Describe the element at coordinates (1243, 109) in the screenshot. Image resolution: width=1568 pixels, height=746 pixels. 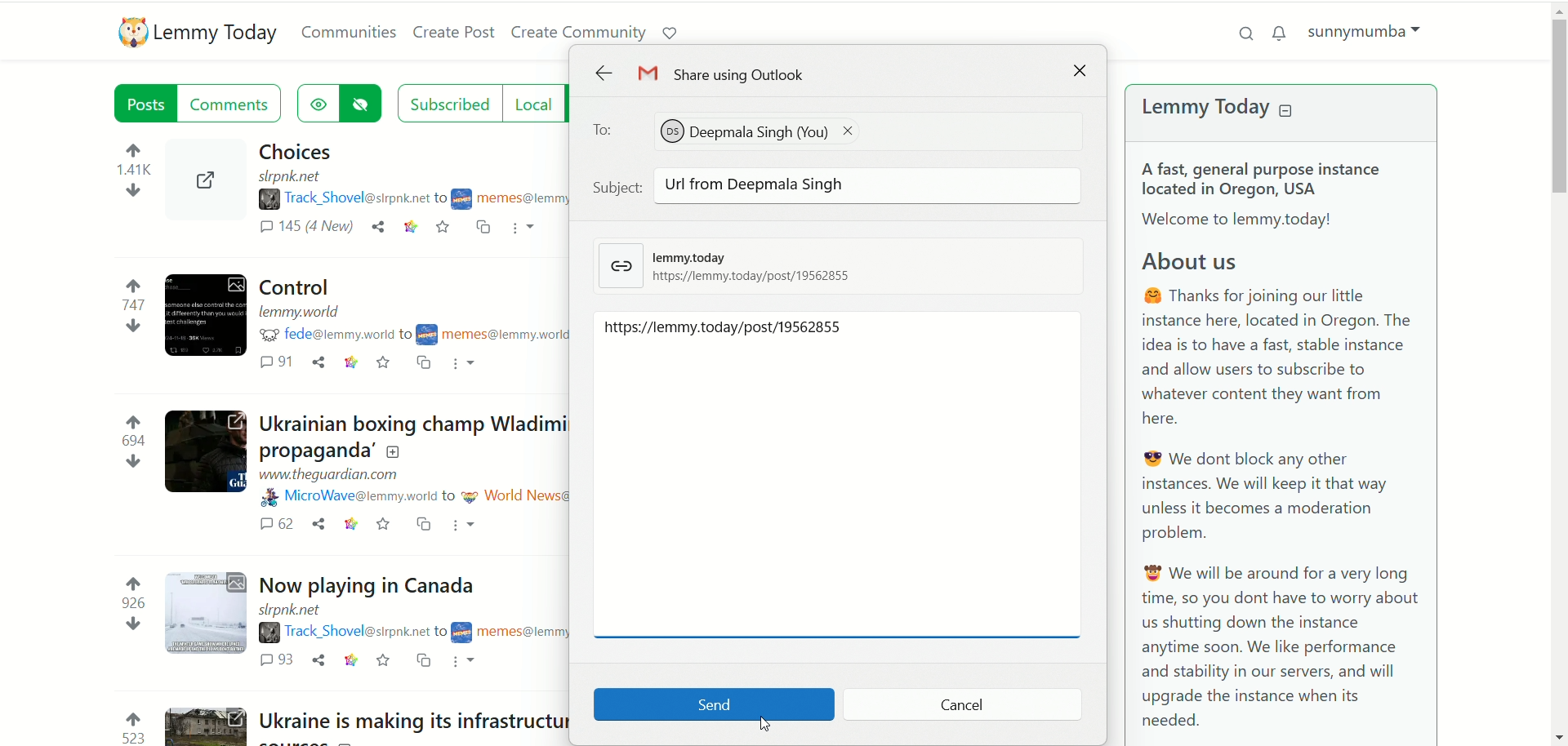
I see `lemmy today` at that location.